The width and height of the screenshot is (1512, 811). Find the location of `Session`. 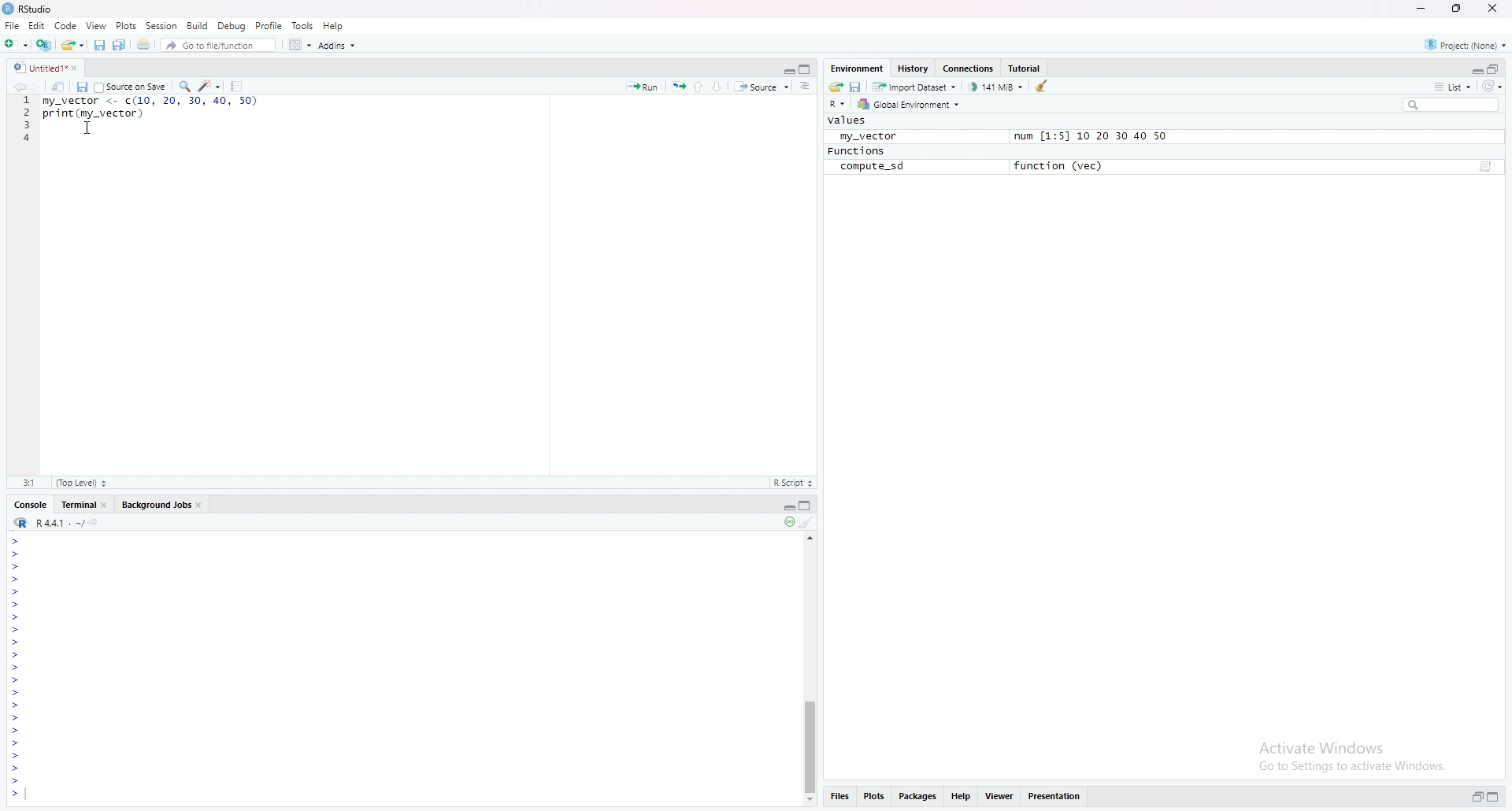

Session is located at coordinates (161, 26).